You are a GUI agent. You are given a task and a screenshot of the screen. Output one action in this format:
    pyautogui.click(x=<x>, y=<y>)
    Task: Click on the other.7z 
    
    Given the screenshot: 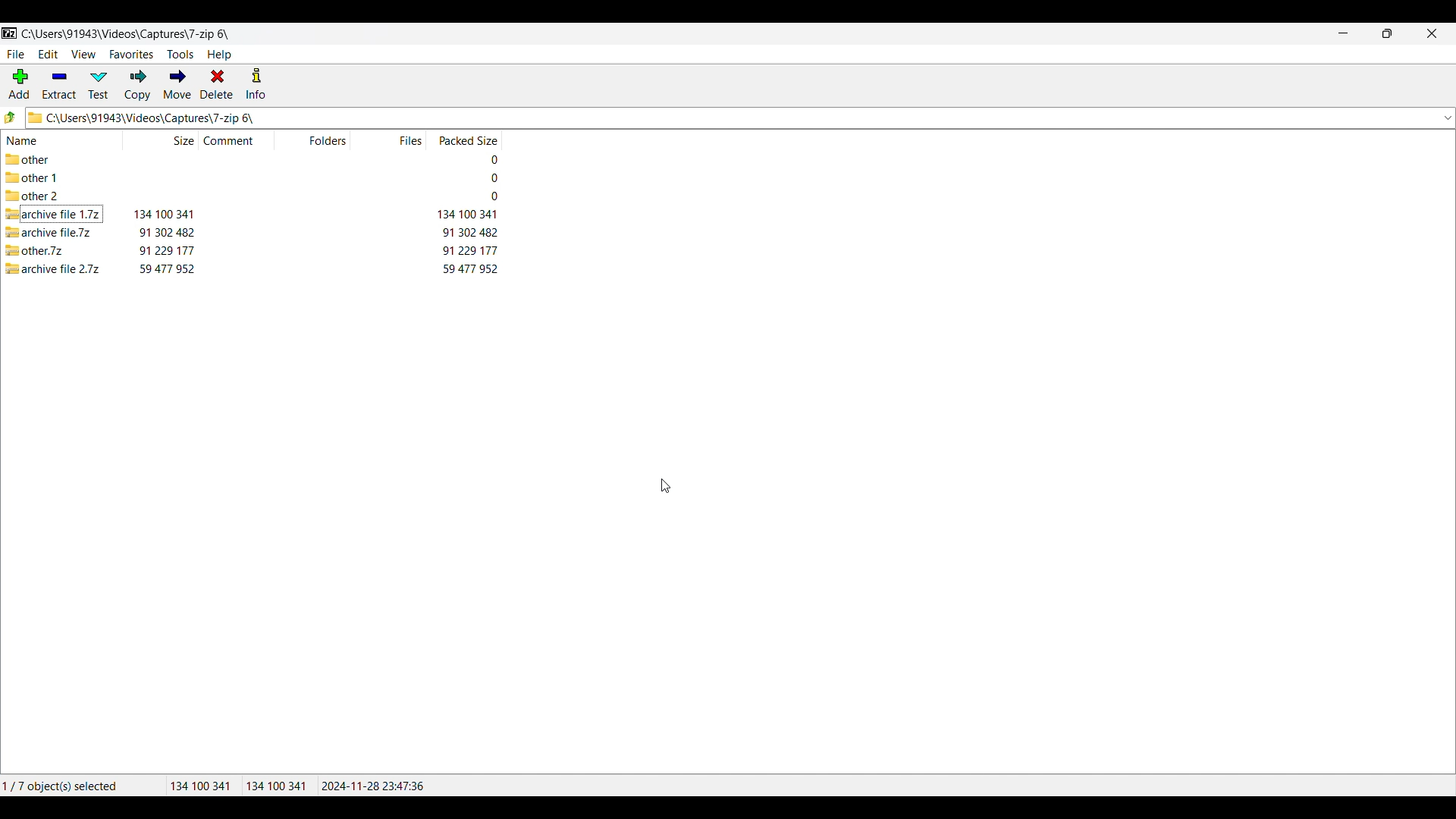 What is the action you would take?
    pyautogui.click(x=39, y=249)
    